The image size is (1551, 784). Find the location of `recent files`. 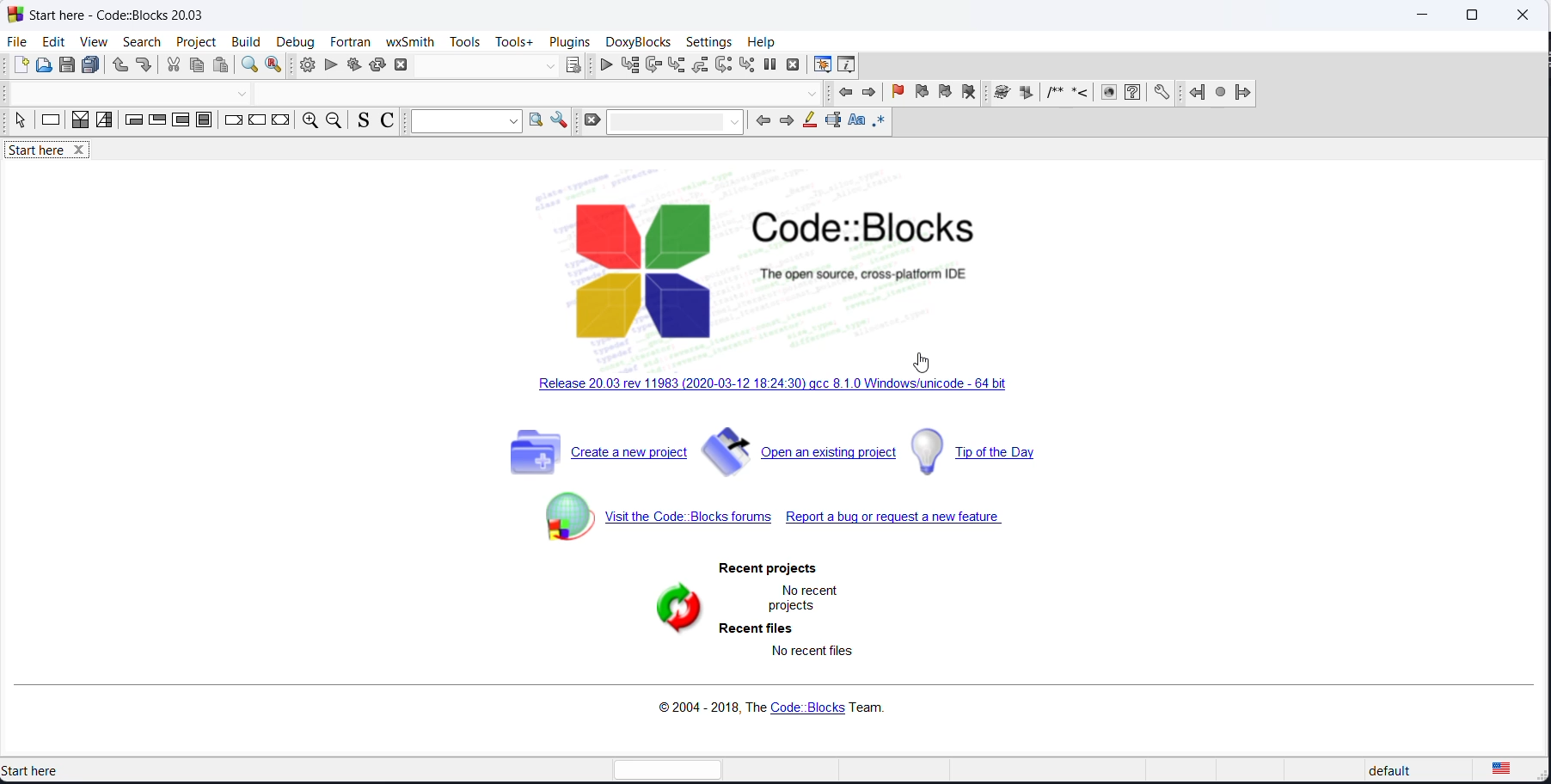

recent files is located at coordinates (765, 626).